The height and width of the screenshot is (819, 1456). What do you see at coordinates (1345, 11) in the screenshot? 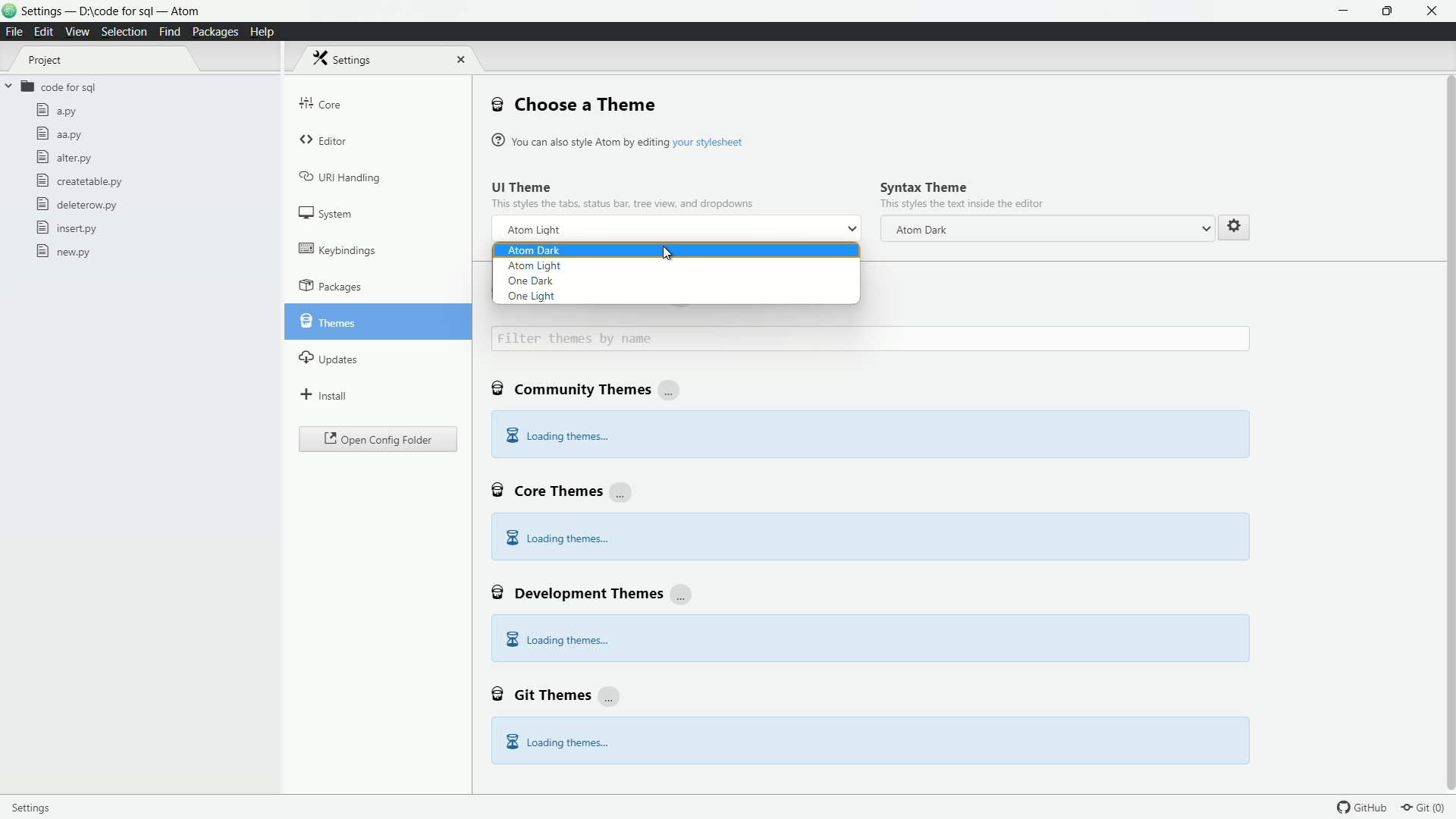
I see `minimize` at bounding box center [1345, 11].